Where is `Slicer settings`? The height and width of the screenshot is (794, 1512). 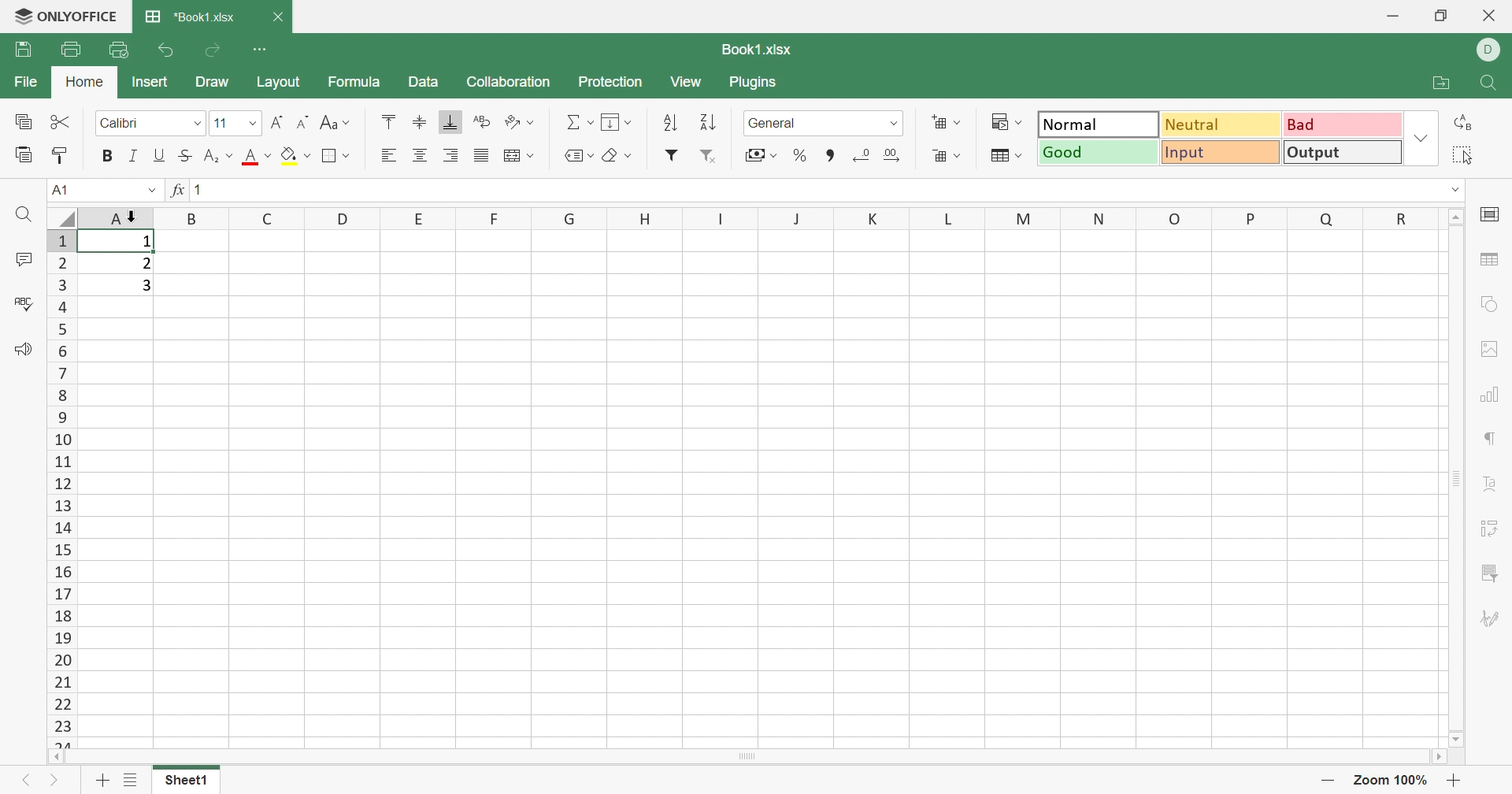 Slicer settings is located at coordinates (1488, 573).